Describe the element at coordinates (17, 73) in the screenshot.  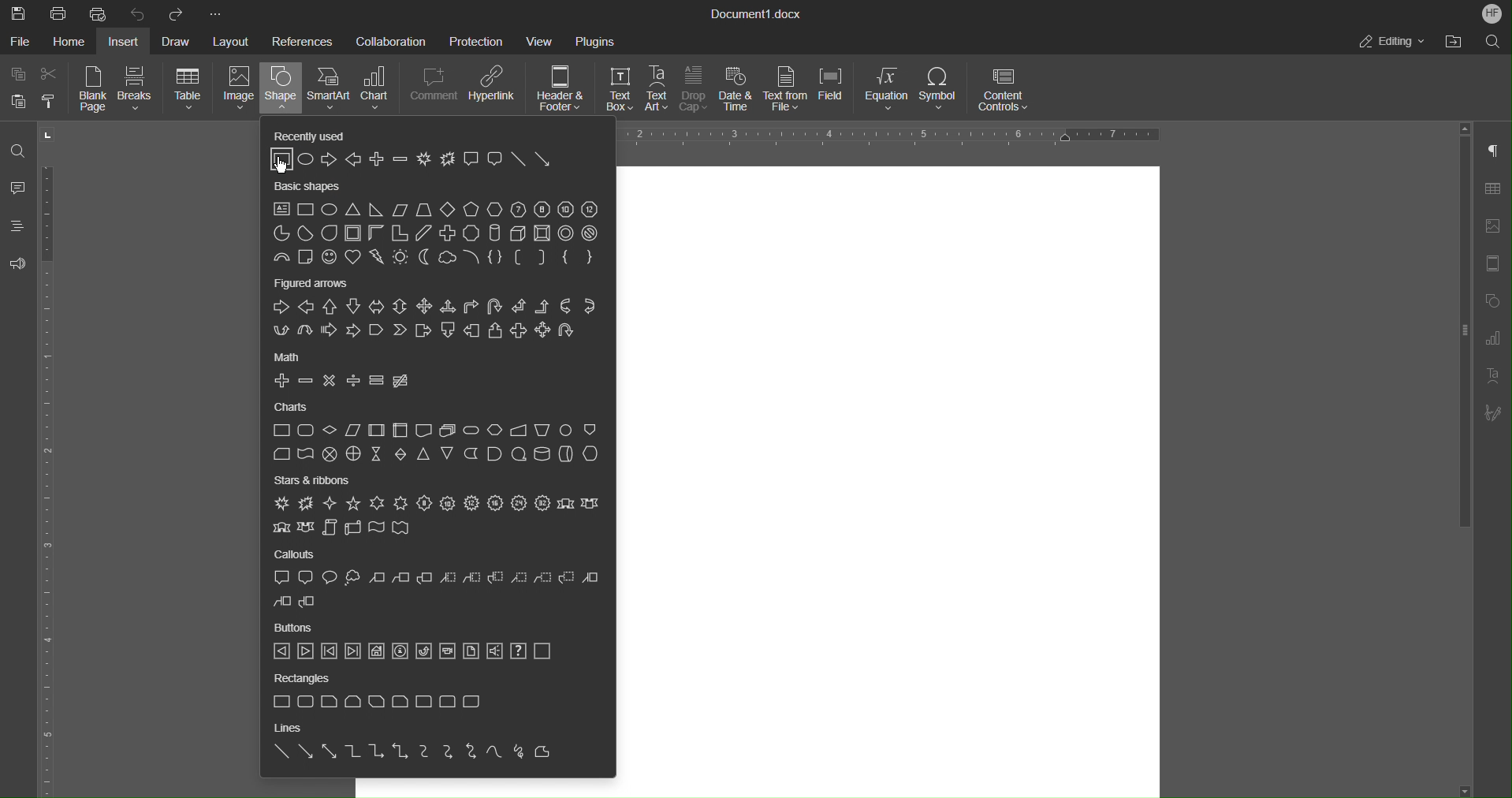
I see `Copy` at that location.